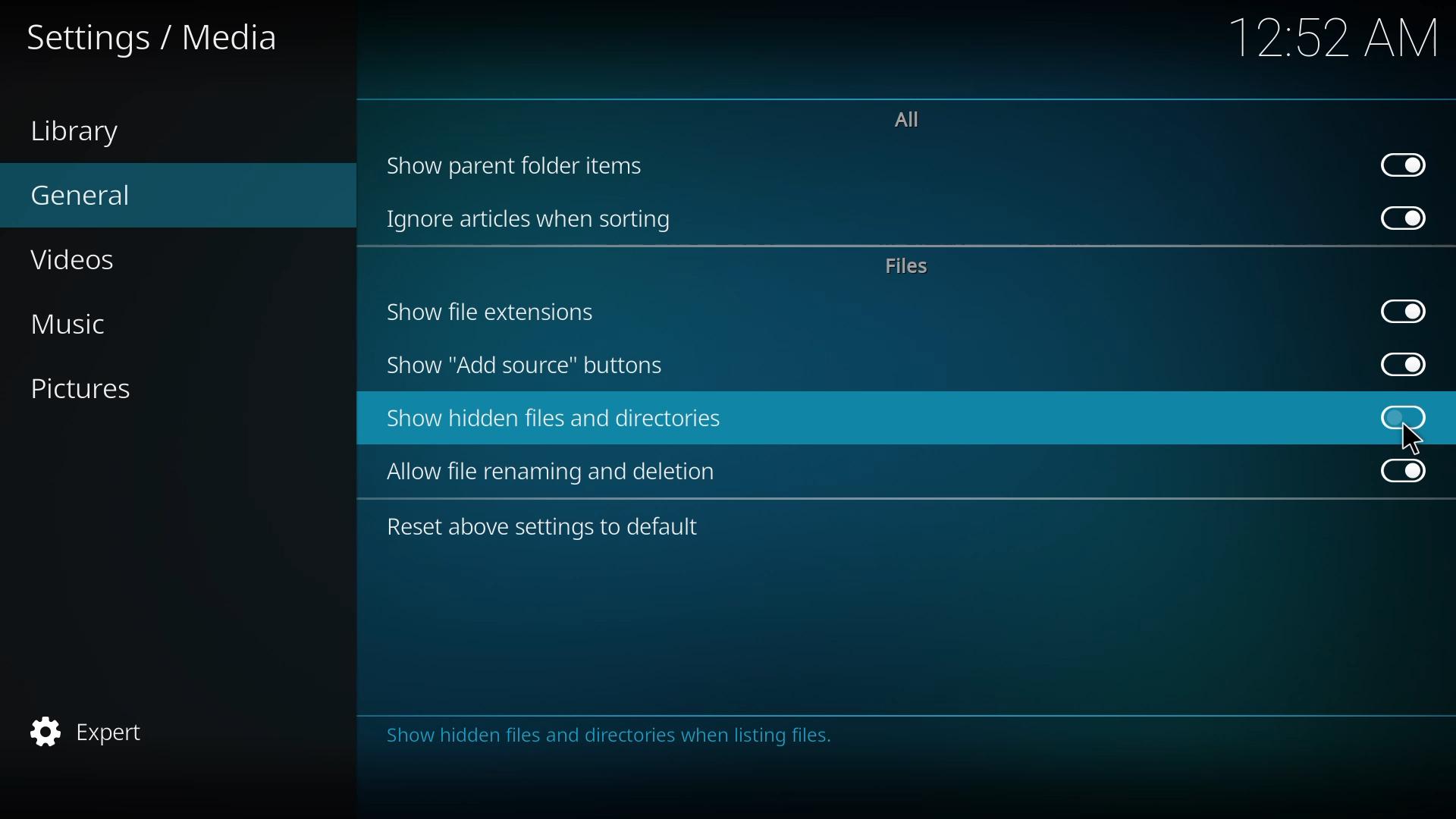 This screenshot has height=819, width=1456. What do you see at coordinates (85, 260) in the screenshot?
I see `videos` at bounding box center [85, 260].